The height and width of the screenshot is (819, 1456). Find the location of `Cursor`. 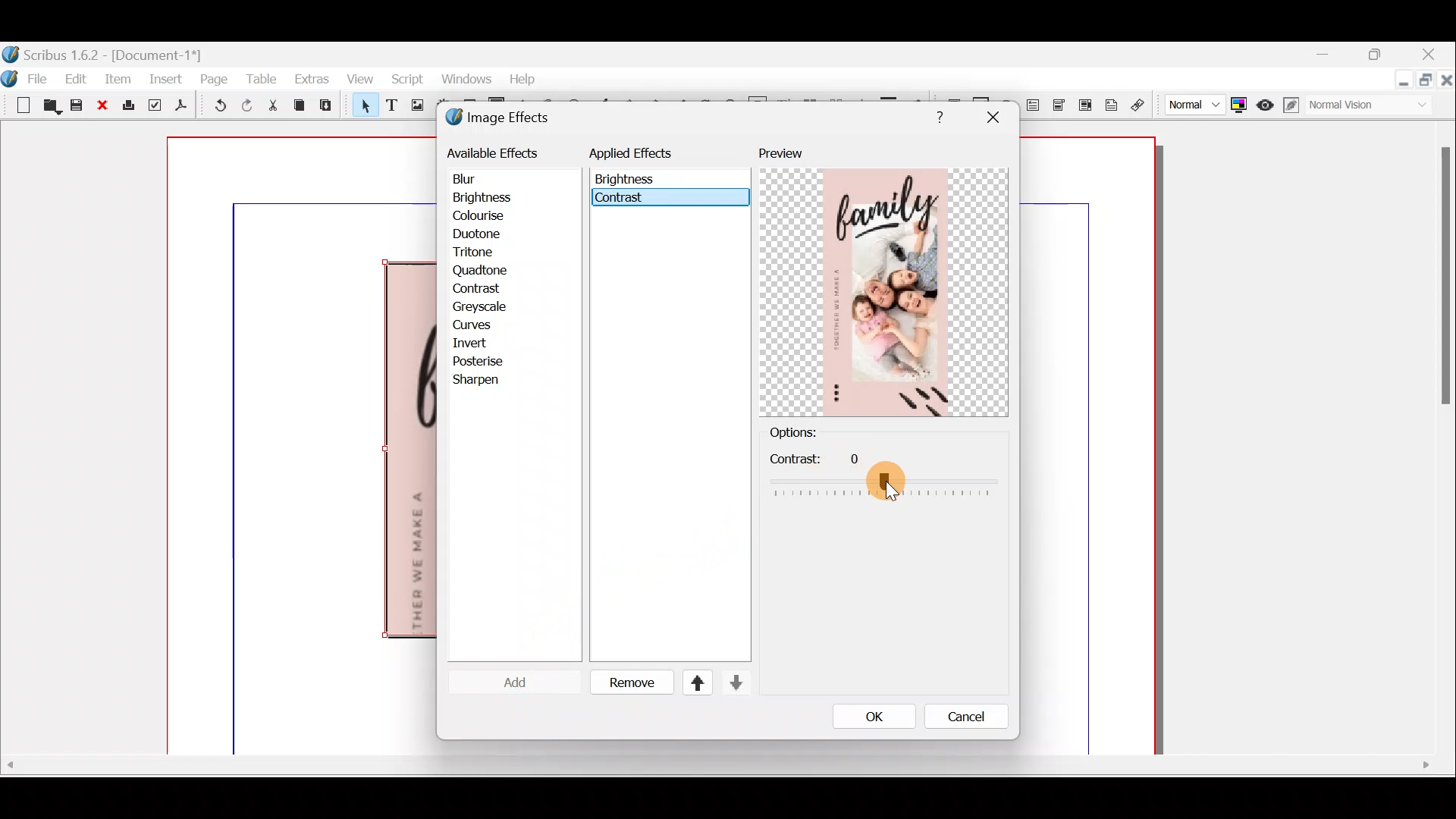

Cursor is located at coordinates (504, 682).